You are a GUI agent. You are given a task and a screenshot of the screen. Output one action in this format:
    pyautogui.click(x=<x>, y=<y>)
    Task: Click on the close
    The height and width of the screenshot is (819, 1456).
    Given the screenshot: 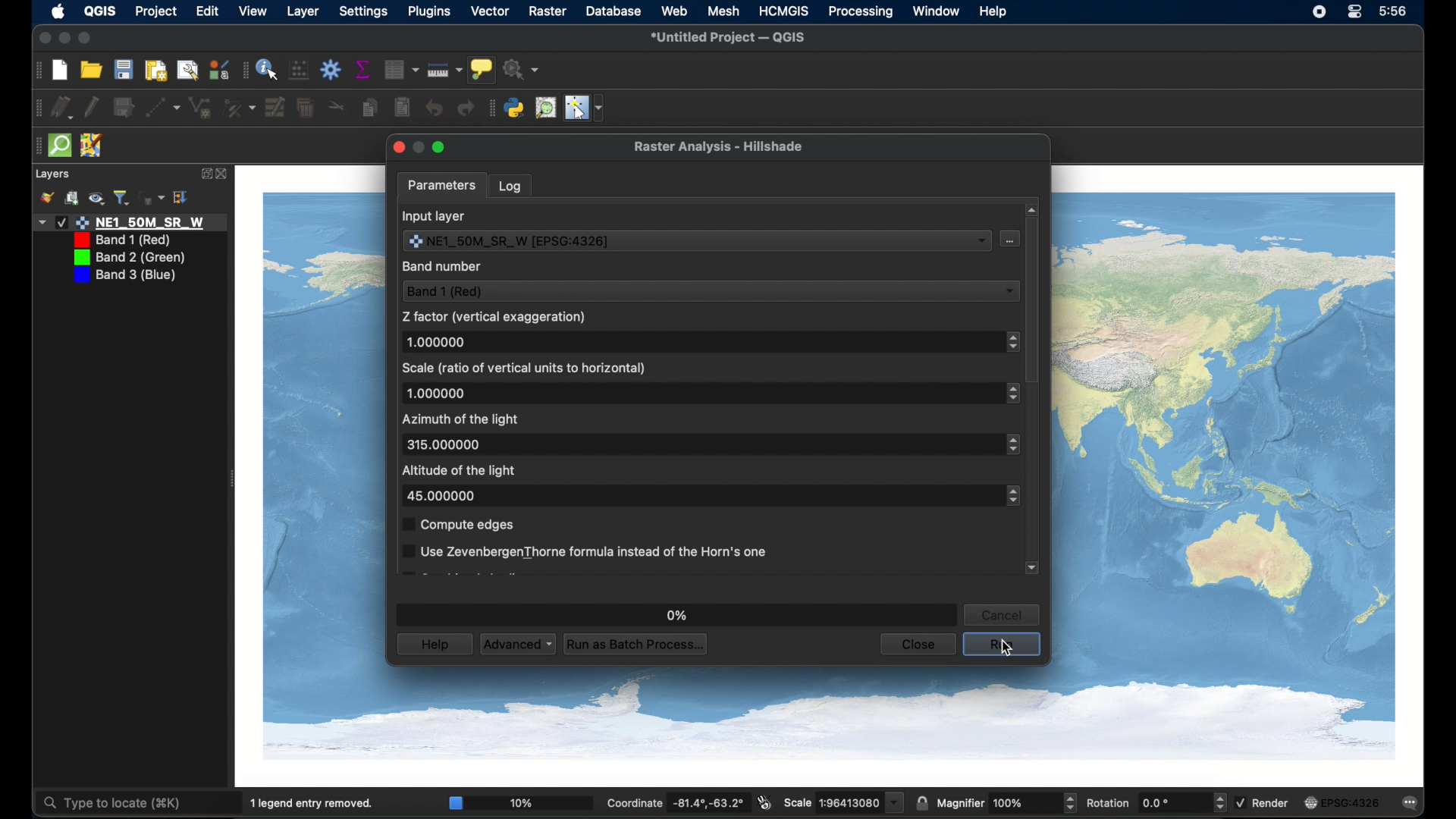 What is the action you would take?
    pyautogui.click(x=41, y=39)
    